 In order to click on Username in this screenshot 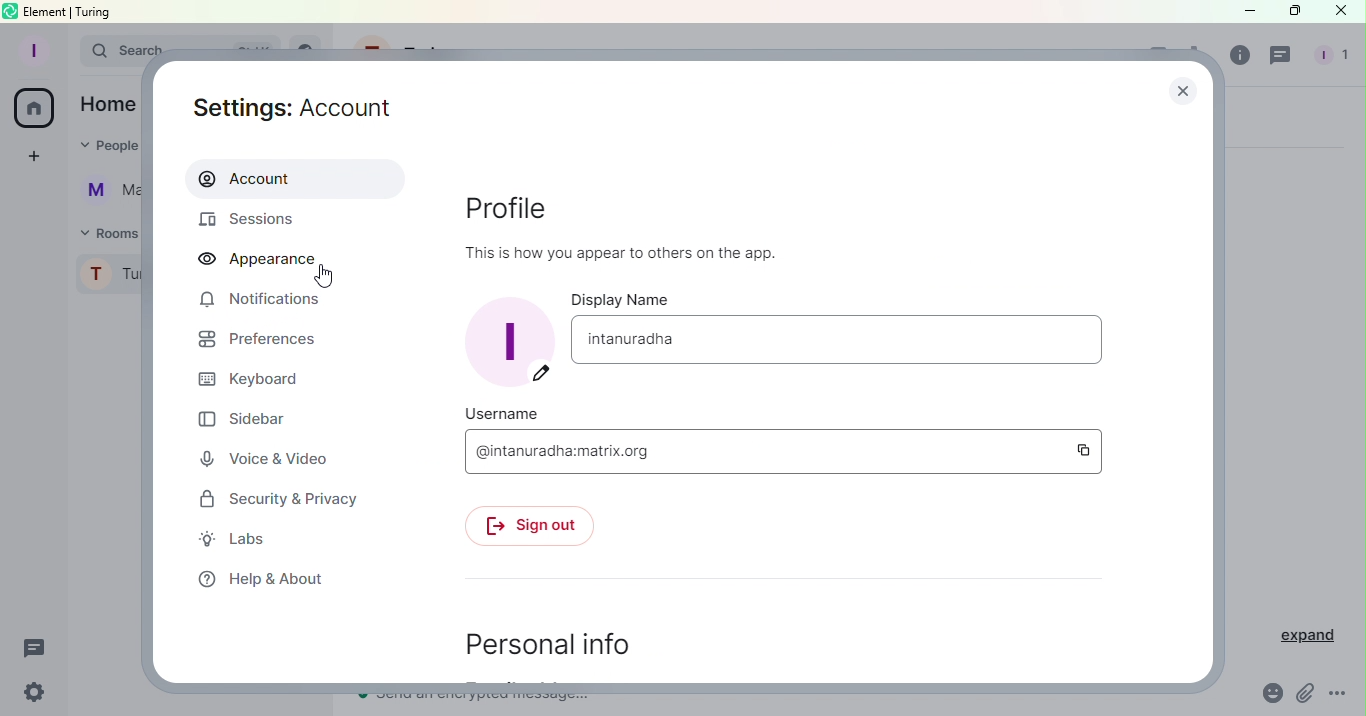, I will do `click(492, 415)`.